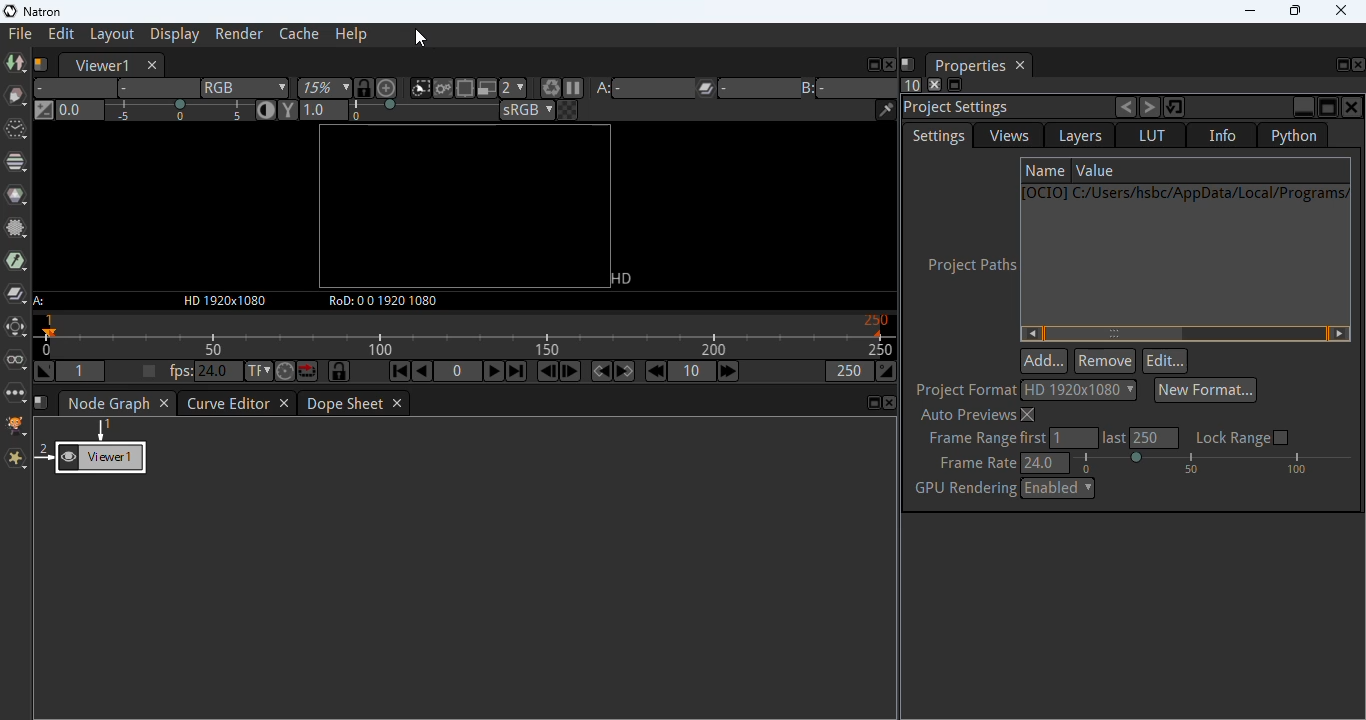 This screenshot has height=720, width=1366. Describe the element at coordinates (178, 371) in the screenshot. I see `fps` at that location.